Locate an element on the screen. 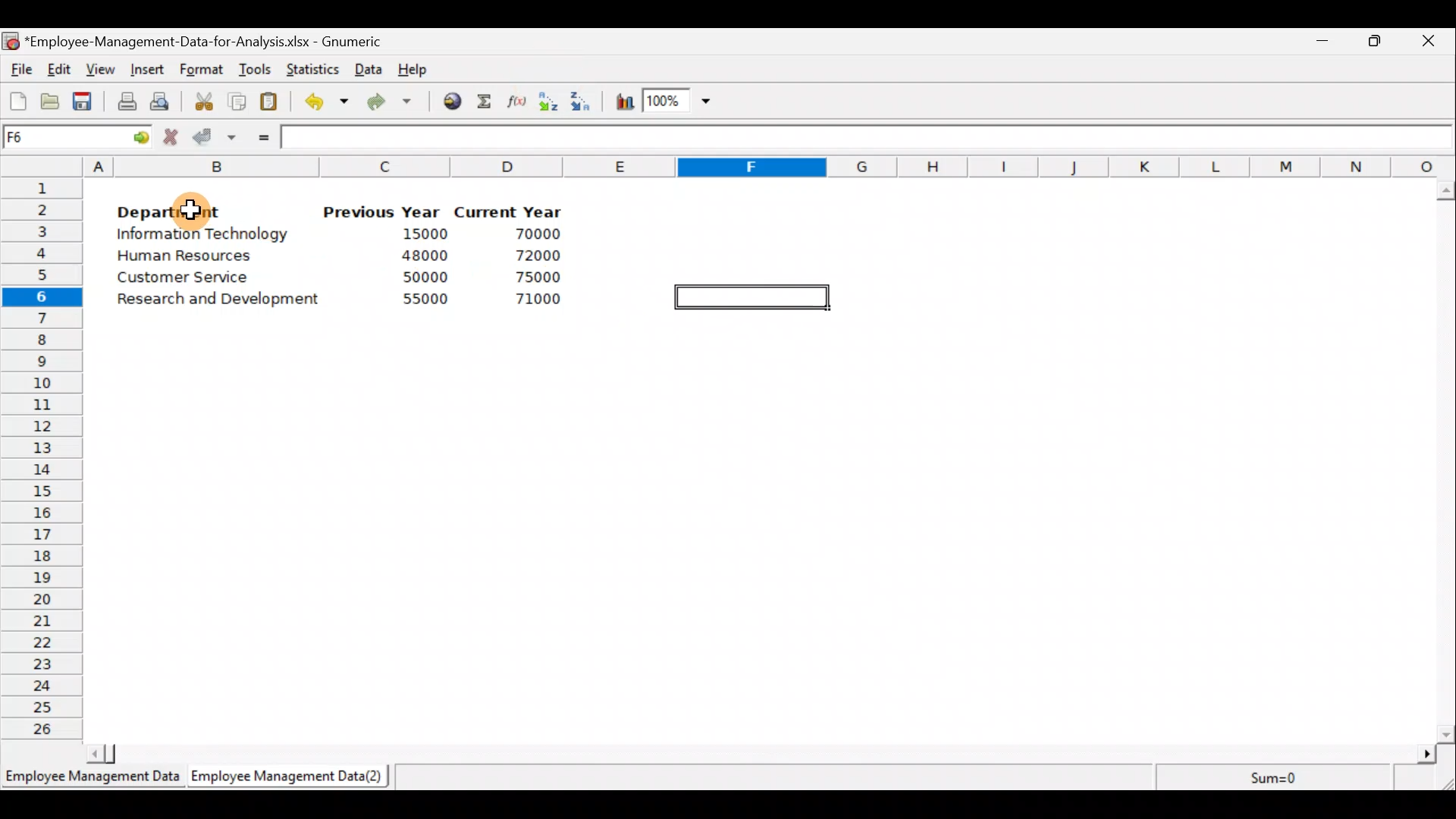  File is located at coordinates (19, 70).